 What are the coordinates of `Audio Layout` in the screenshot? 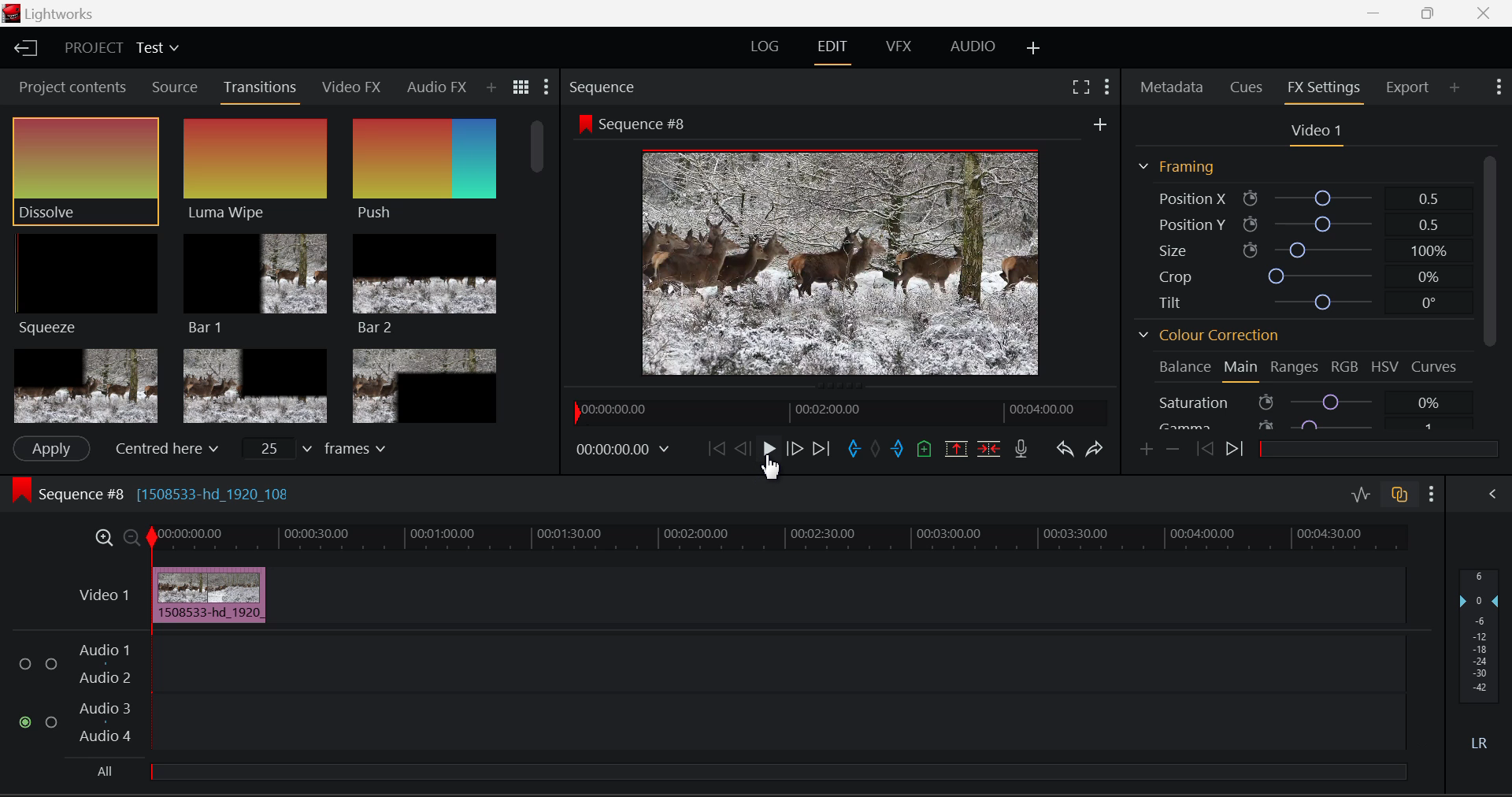 It's located at (969, 50).